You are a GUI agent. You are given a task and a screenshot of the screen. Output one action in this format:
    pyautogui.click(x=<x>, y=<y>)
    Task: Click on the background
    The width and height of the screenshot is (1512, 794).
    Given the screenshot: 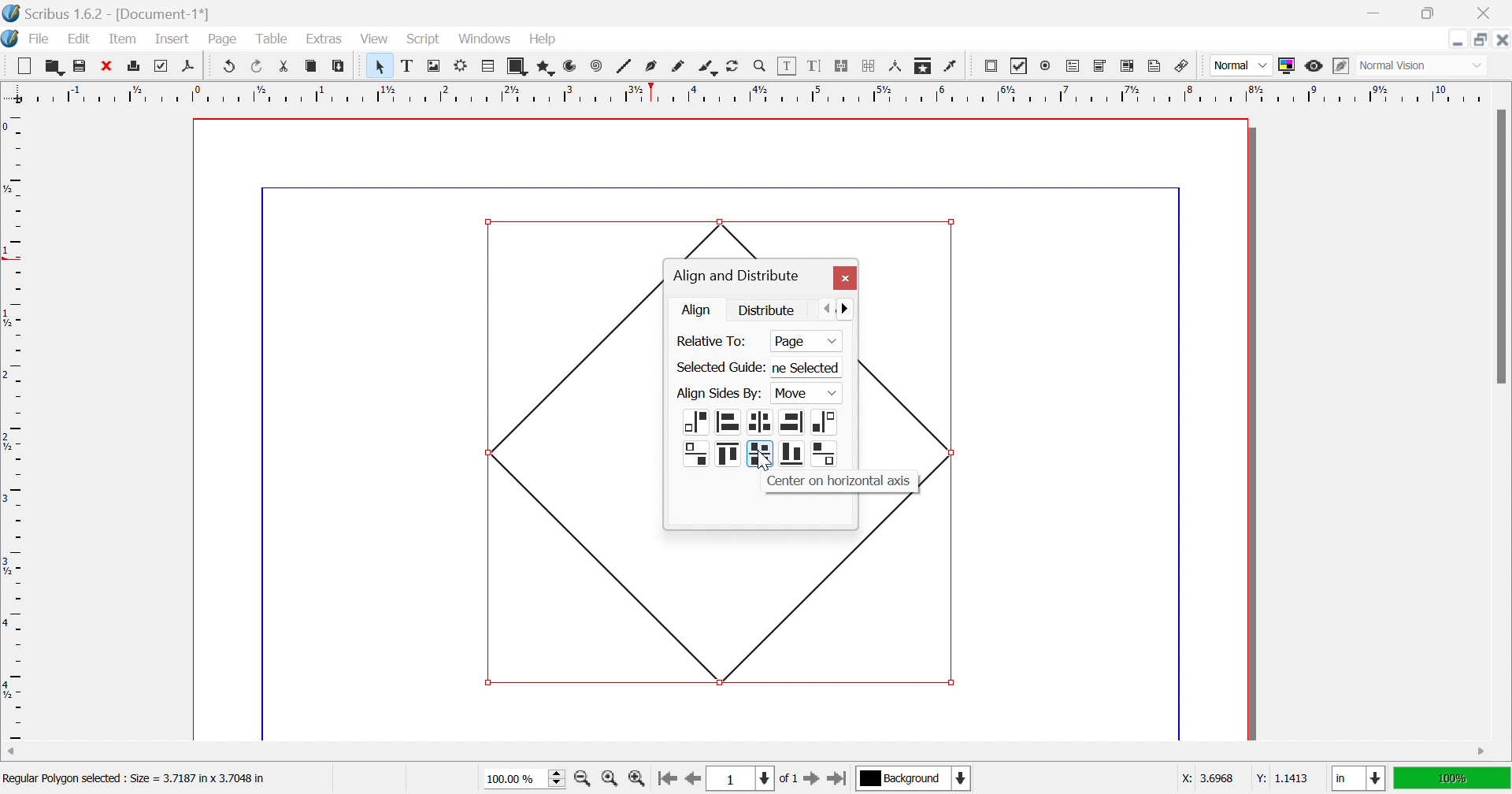 What is the action you would take?
    pyautogui.click(x=915, y=777)
    